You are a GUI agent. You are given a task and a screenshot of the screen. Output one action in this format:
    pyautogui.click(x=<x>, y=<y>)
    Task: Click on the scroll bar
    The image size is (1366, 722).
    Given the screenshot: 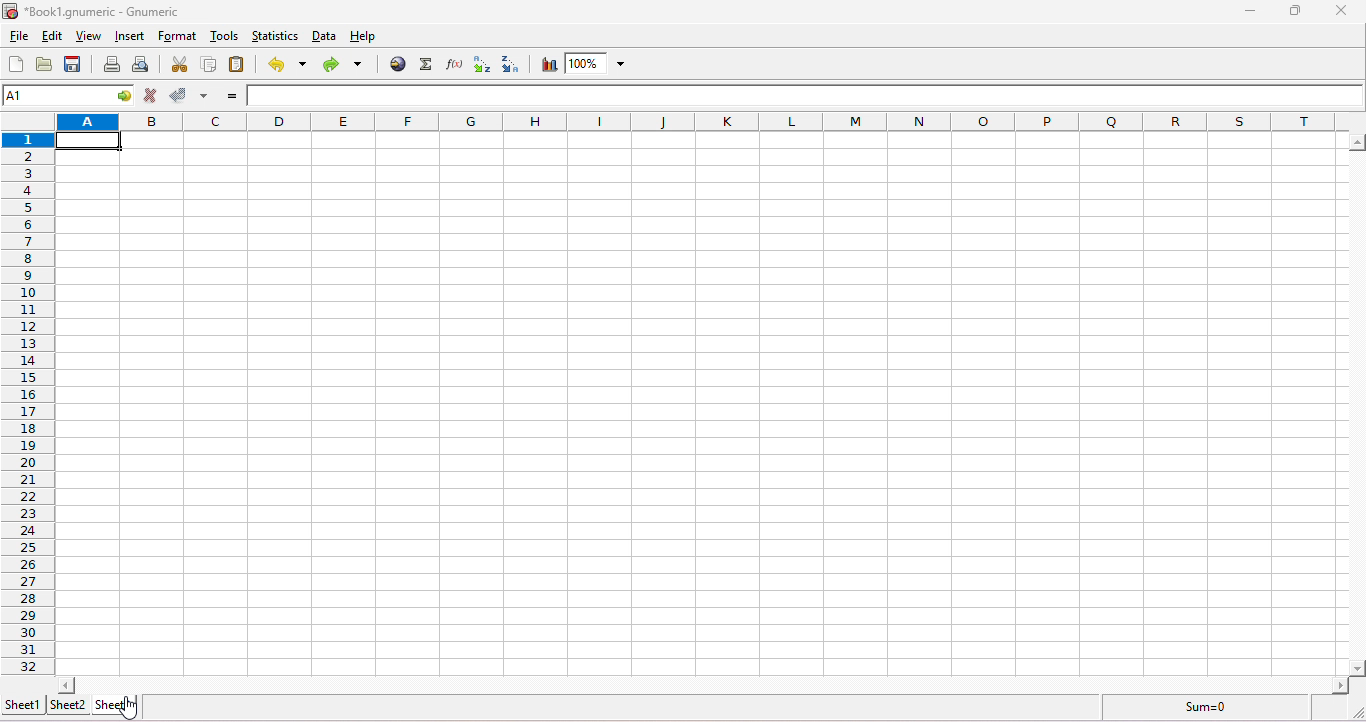 What is the action you would take?
    pyautogui.click(x=1357, y=403)
    